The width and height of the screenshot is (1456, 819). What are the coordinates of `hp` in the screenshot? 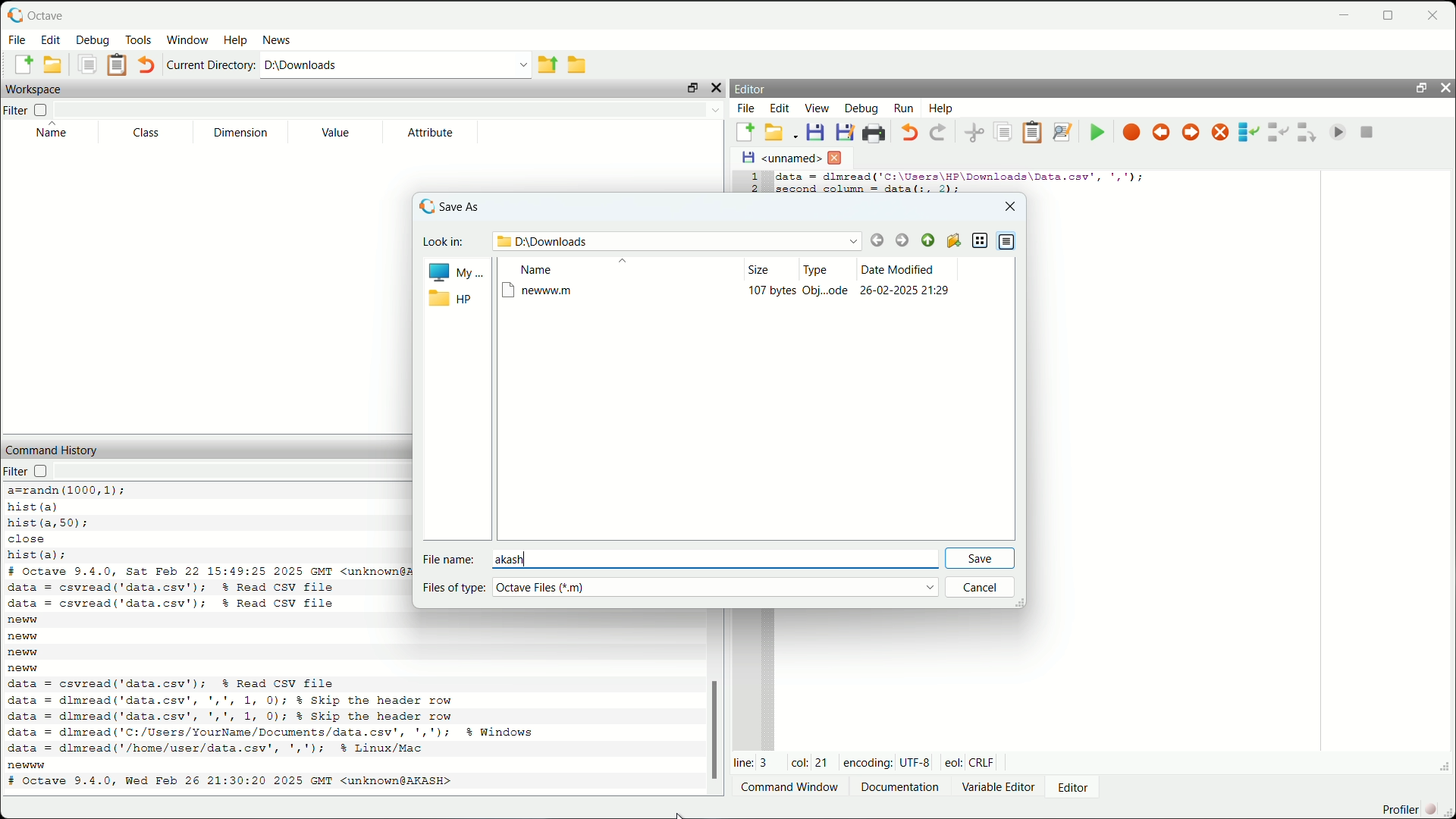 It's located at (450, 301).